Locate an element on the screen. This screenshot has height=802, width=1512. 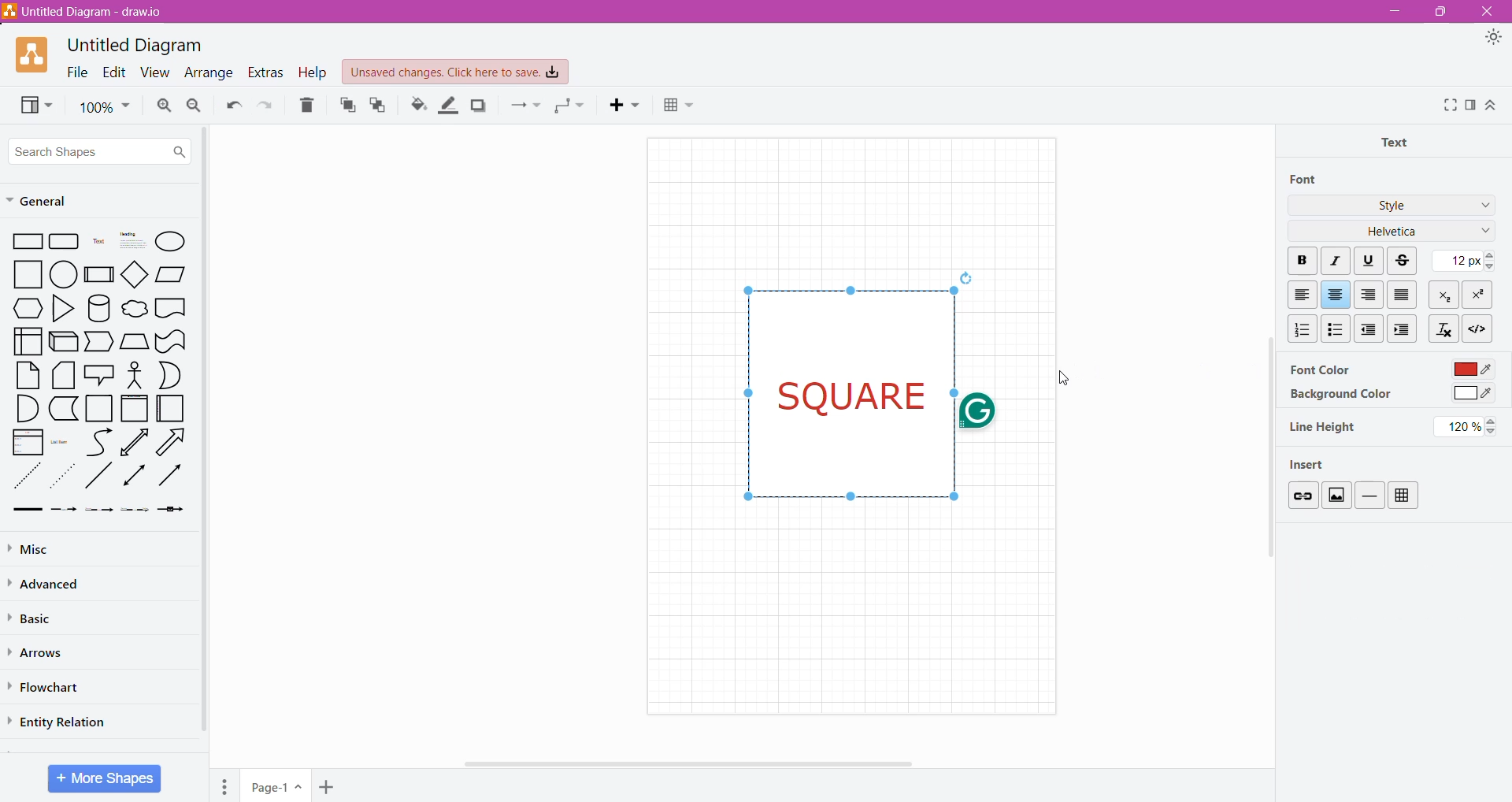
Trapezoid is located at coordinates (99, 343).